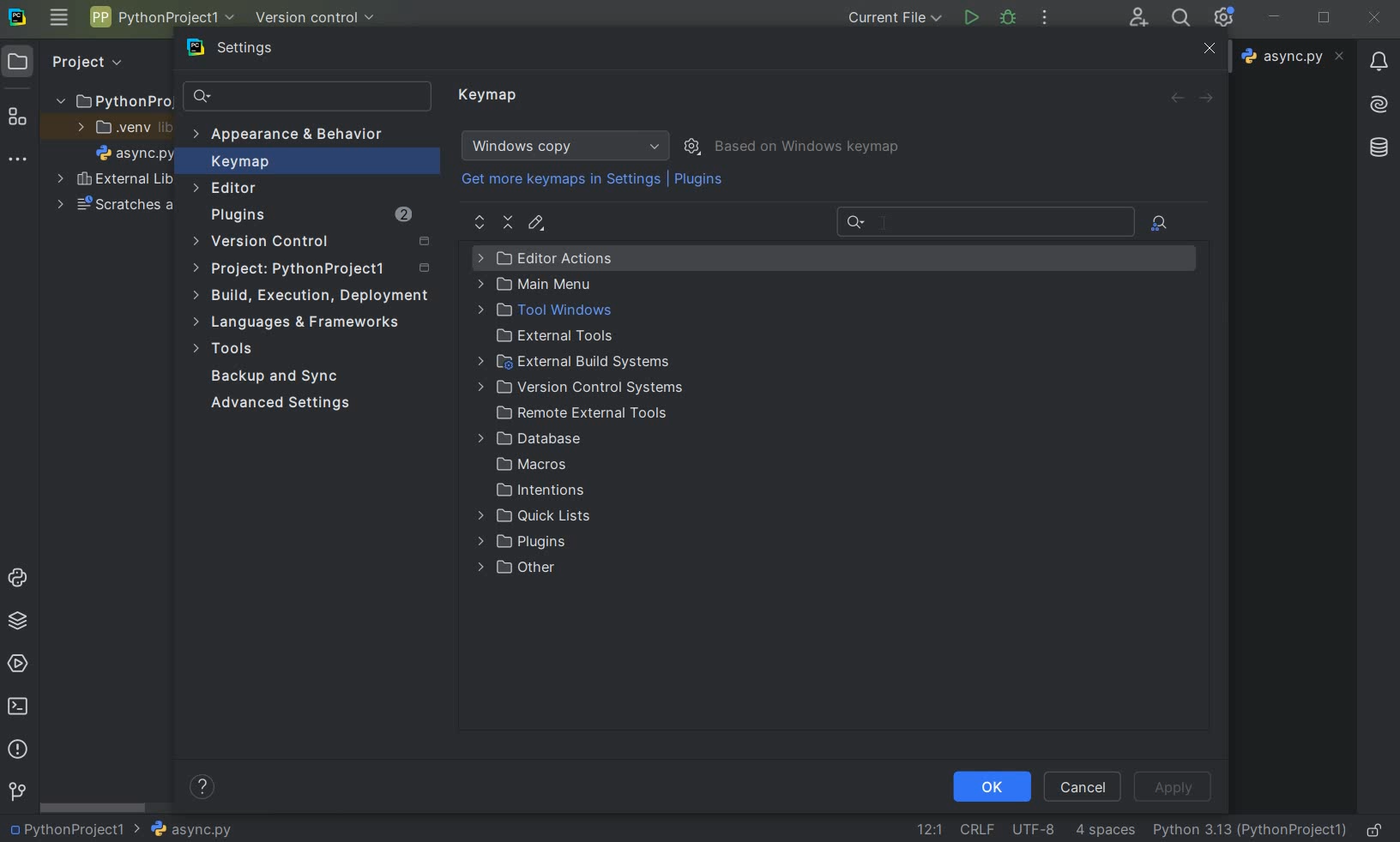 Image resolution: width=1400 pixels, height=842 pixels. I want to click on problems, so click(16, 748).